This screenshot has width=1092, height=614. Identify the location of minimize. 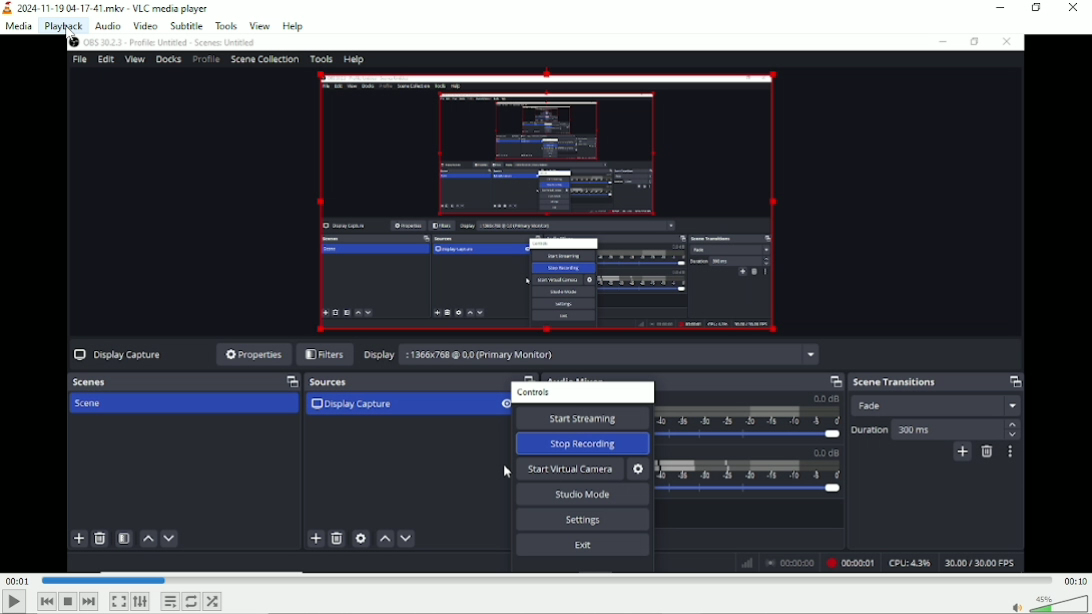
(1001, 9).